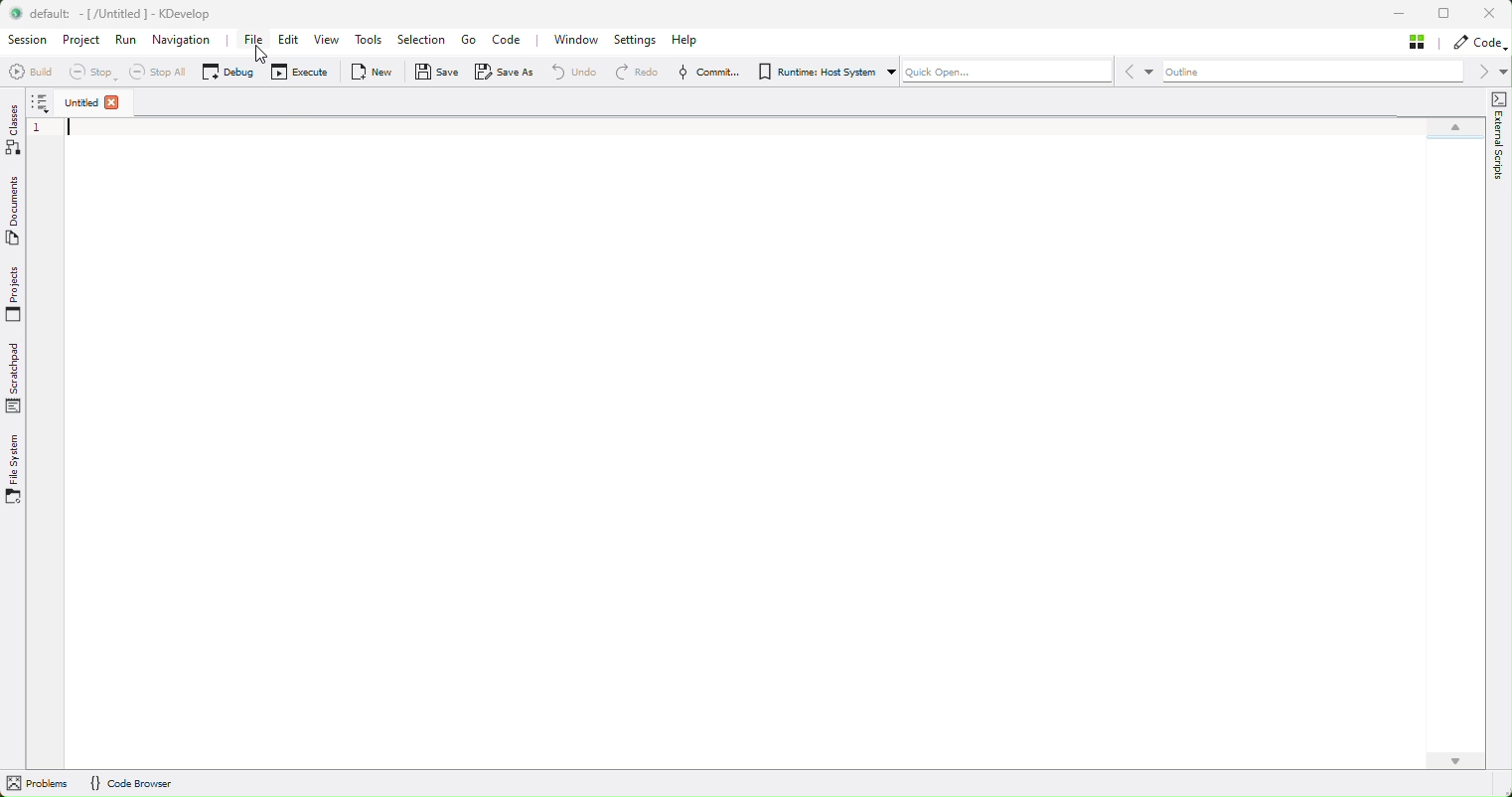 This screenshot has width=1512, height=797. Describe the element at coordinates (41, 128) in the screenshot. I see `line number` at that location.